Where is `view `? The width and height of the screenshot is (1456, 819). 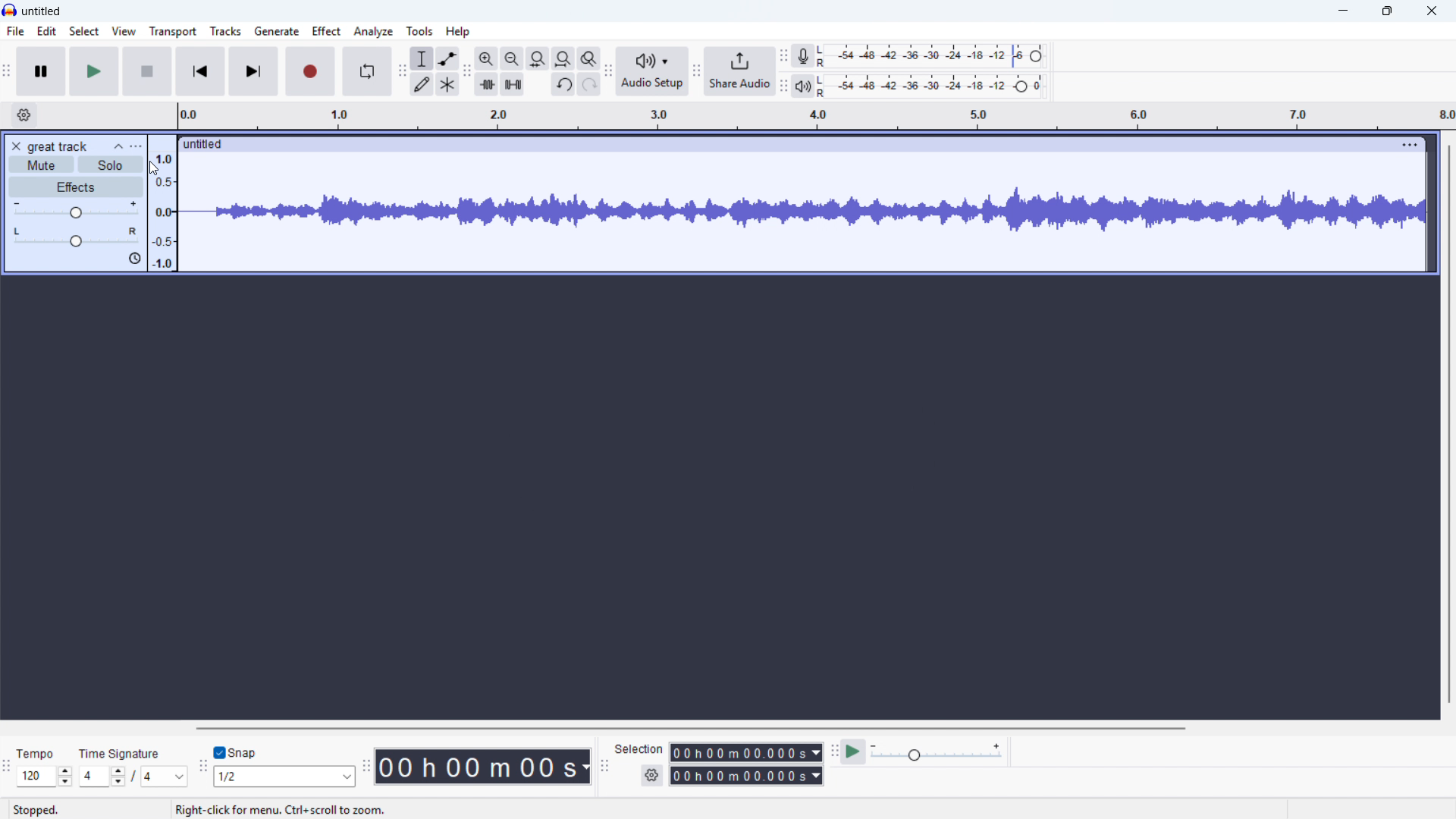
view  is located at coordinates (124, 31).